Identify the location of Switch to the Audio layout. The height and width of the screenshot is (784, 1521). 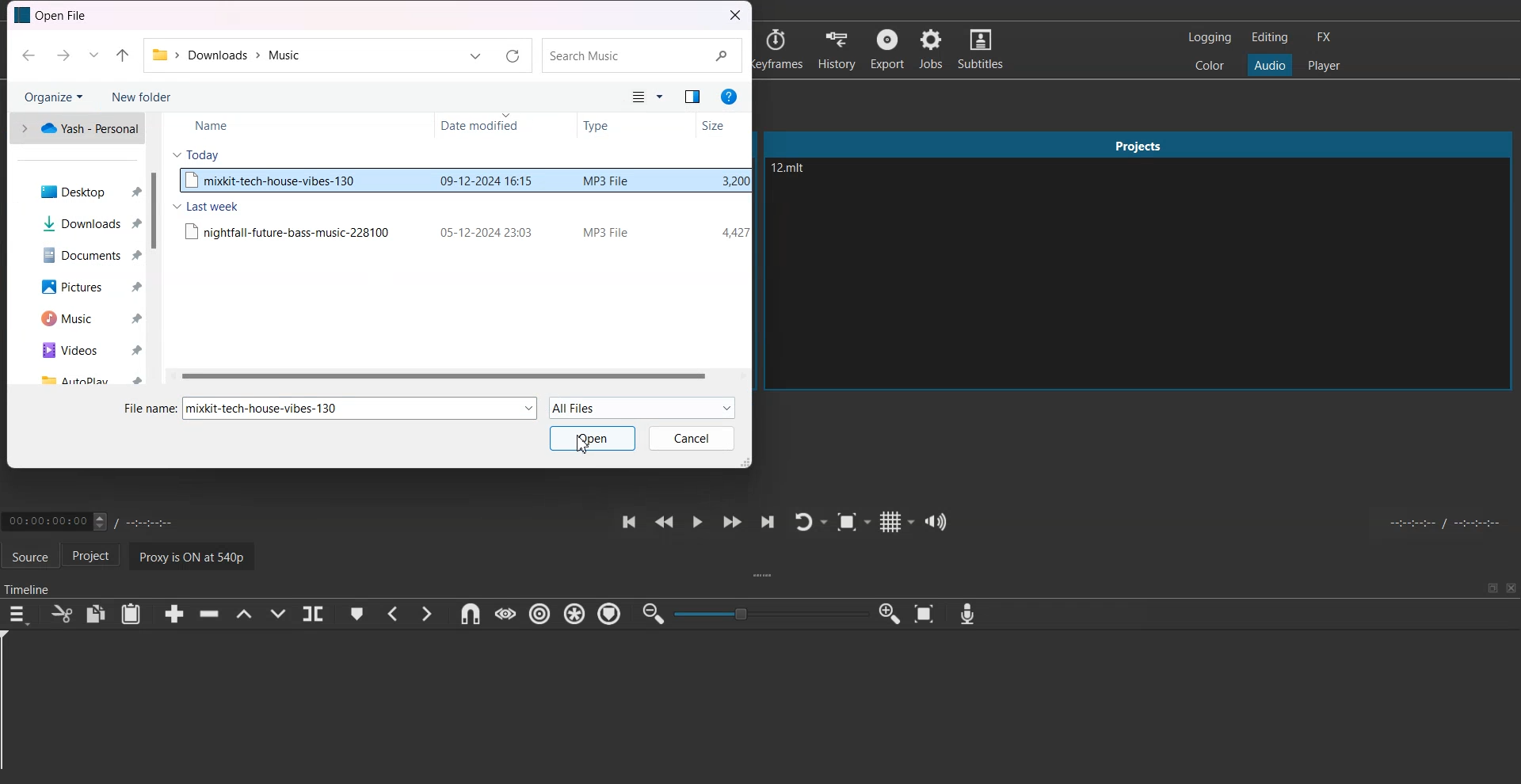
(1271, 64).